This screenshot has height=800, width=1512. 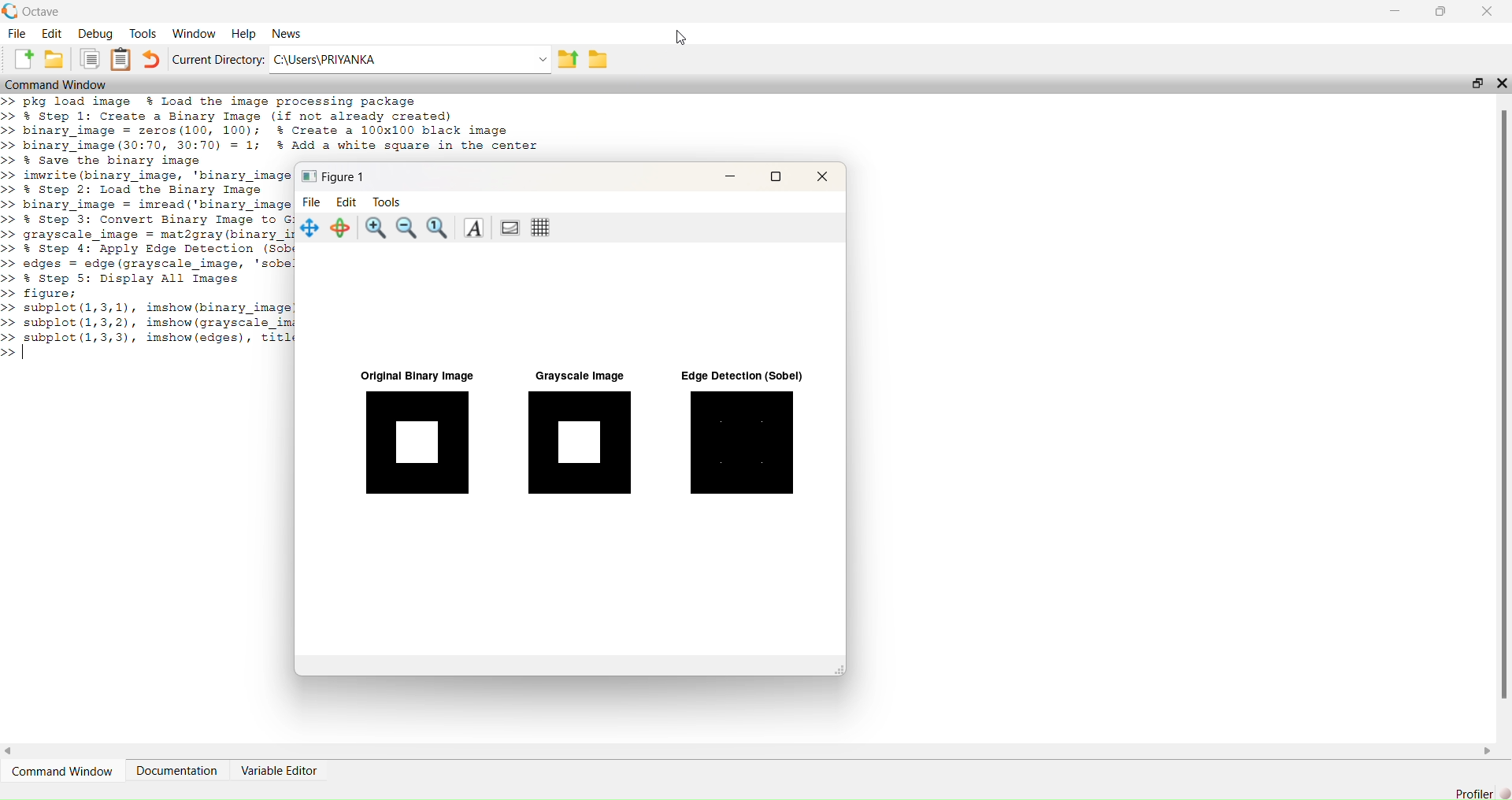 I want to click on icon, so click(x=307, y=176).